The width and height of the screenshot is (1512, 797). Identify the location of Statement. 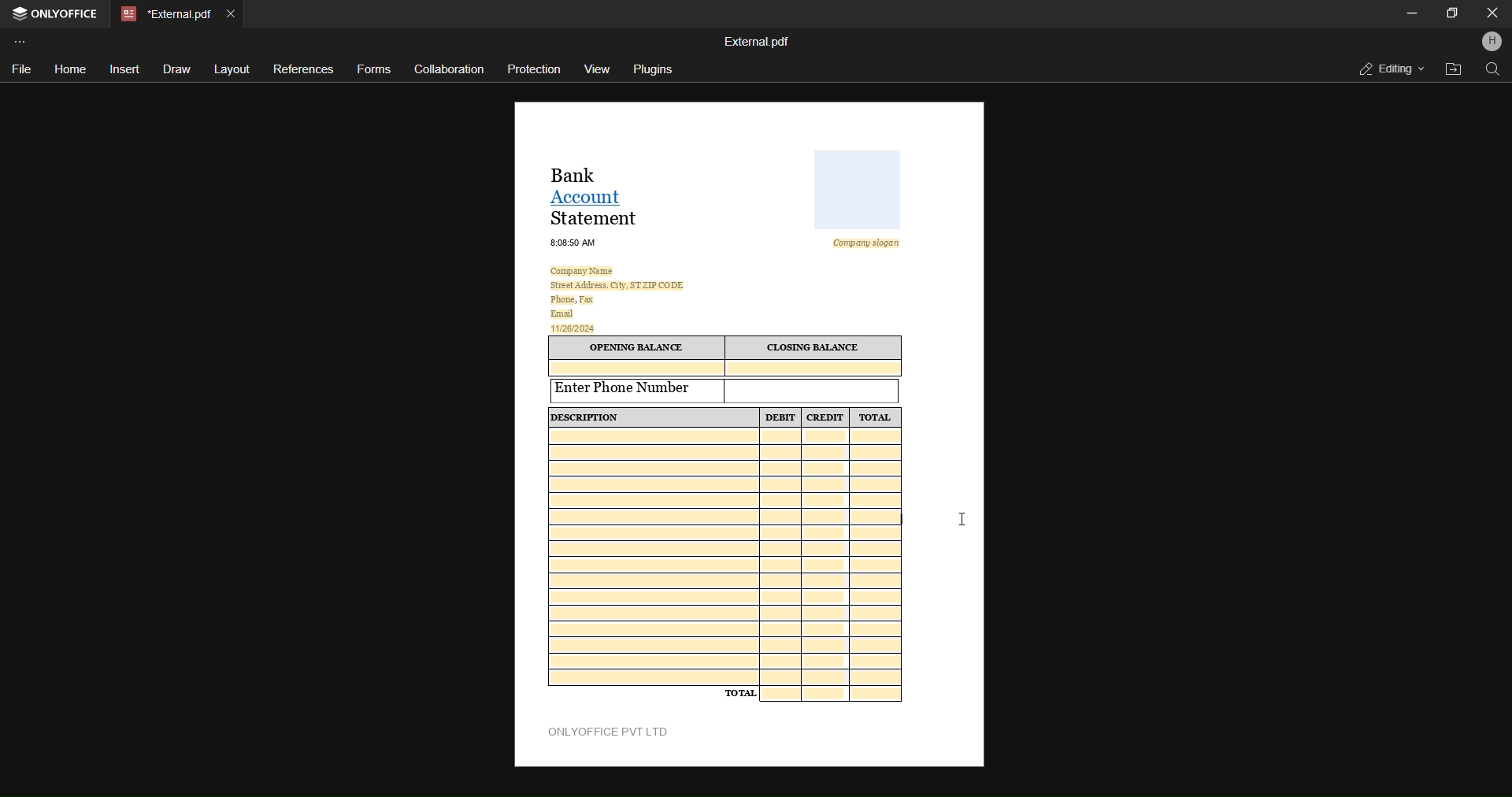
(597, 218).